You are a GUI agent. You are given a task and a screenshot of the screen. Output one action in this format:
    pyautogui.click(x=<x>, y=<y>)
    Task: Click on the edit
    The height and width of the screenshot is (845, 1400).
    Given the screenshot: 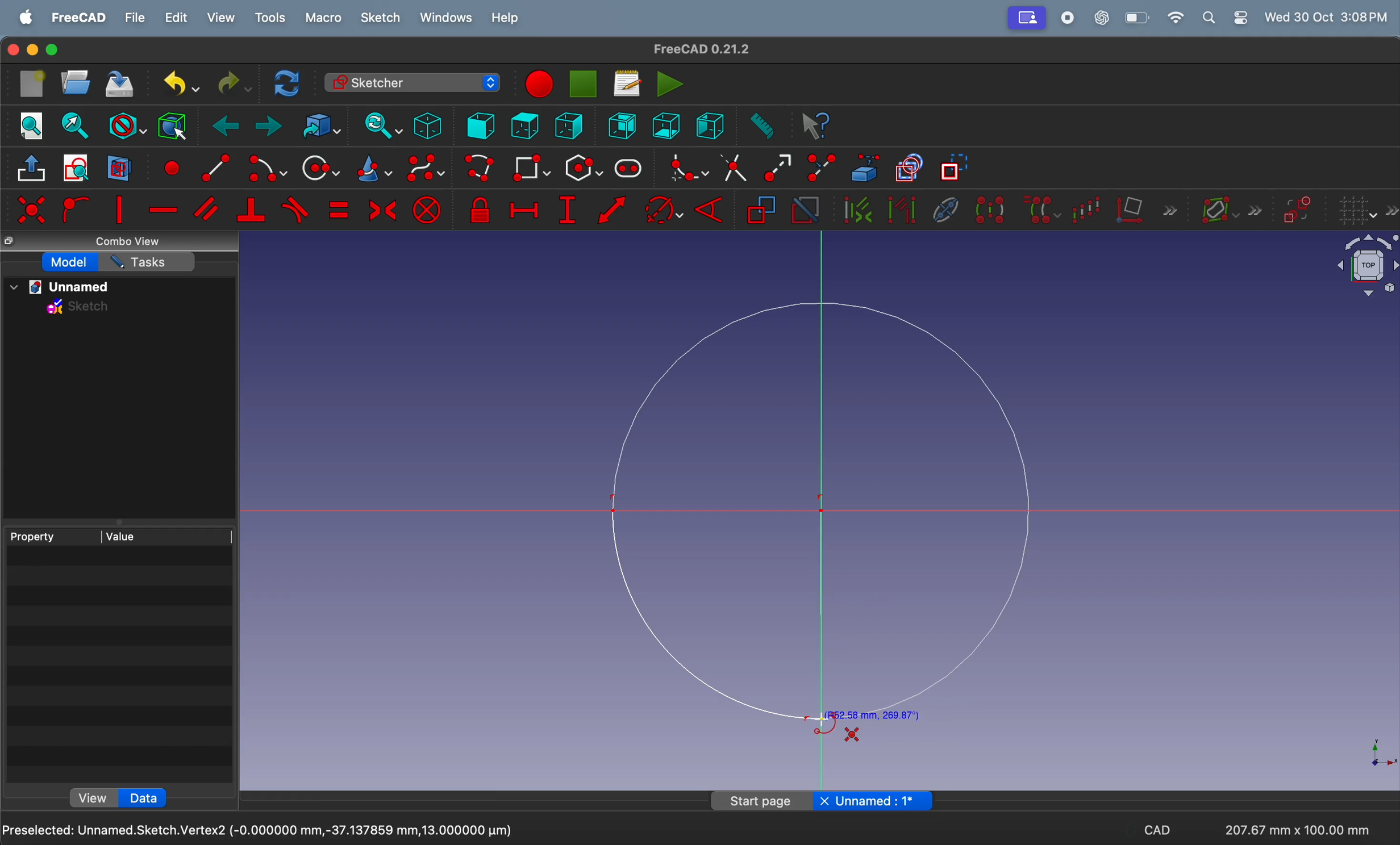 What is the action you would take?
    pyautogui.click(x=178, y=18)
    